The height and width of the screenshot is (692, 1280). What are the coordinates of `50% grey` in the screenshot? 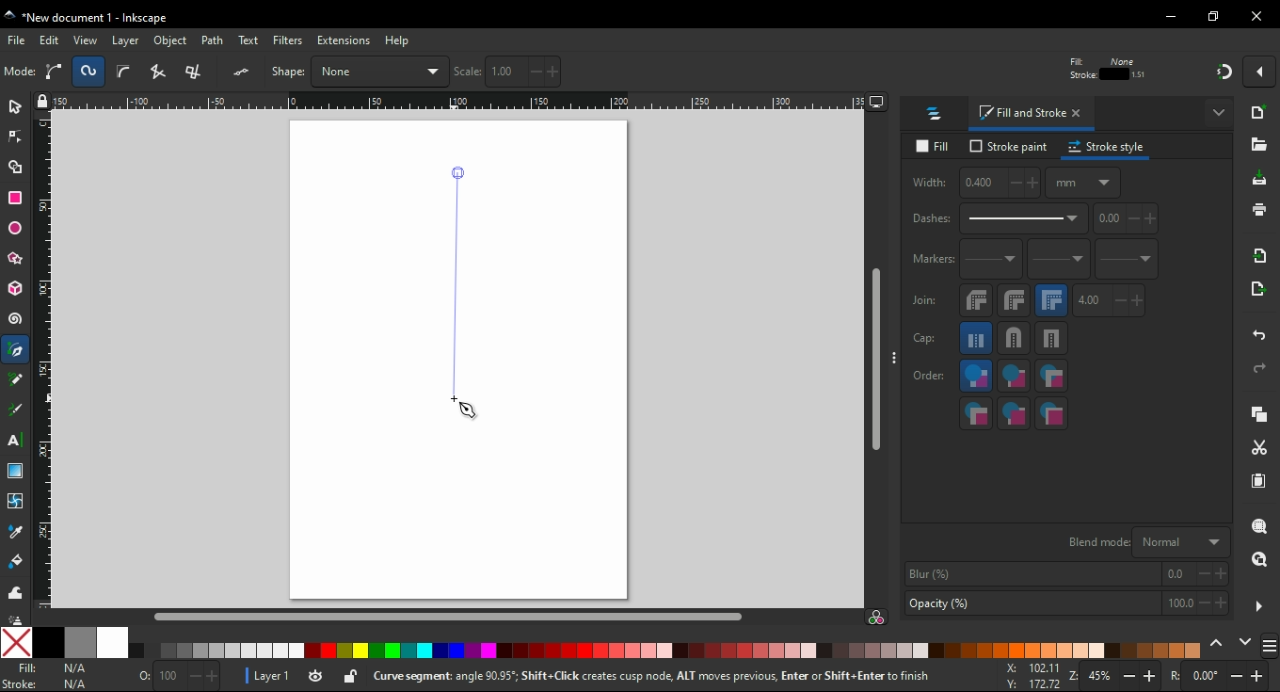 It's located at (79, 642).